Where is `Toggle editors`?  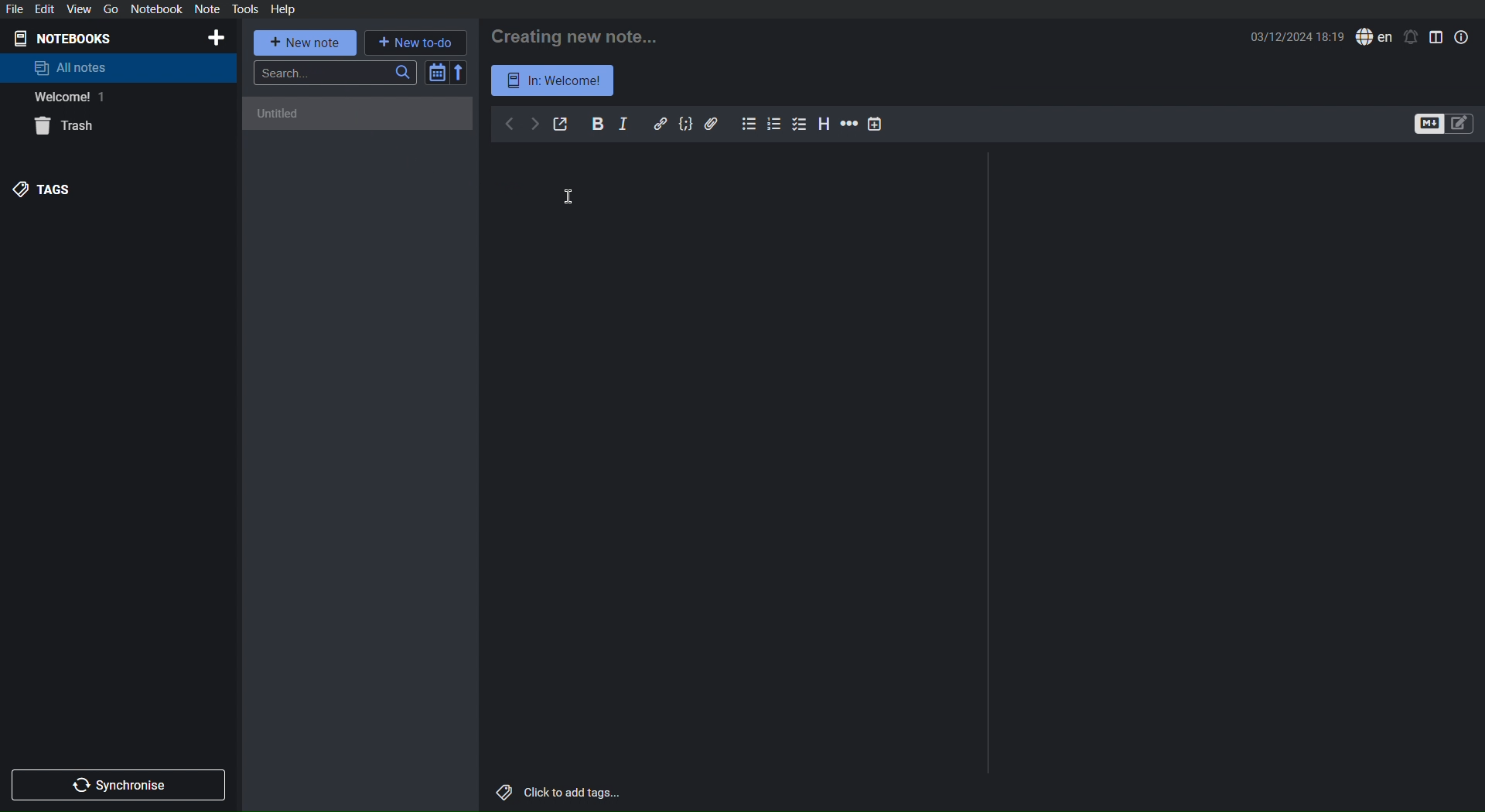
Toggle editors is located at coordinates (1445, 125).